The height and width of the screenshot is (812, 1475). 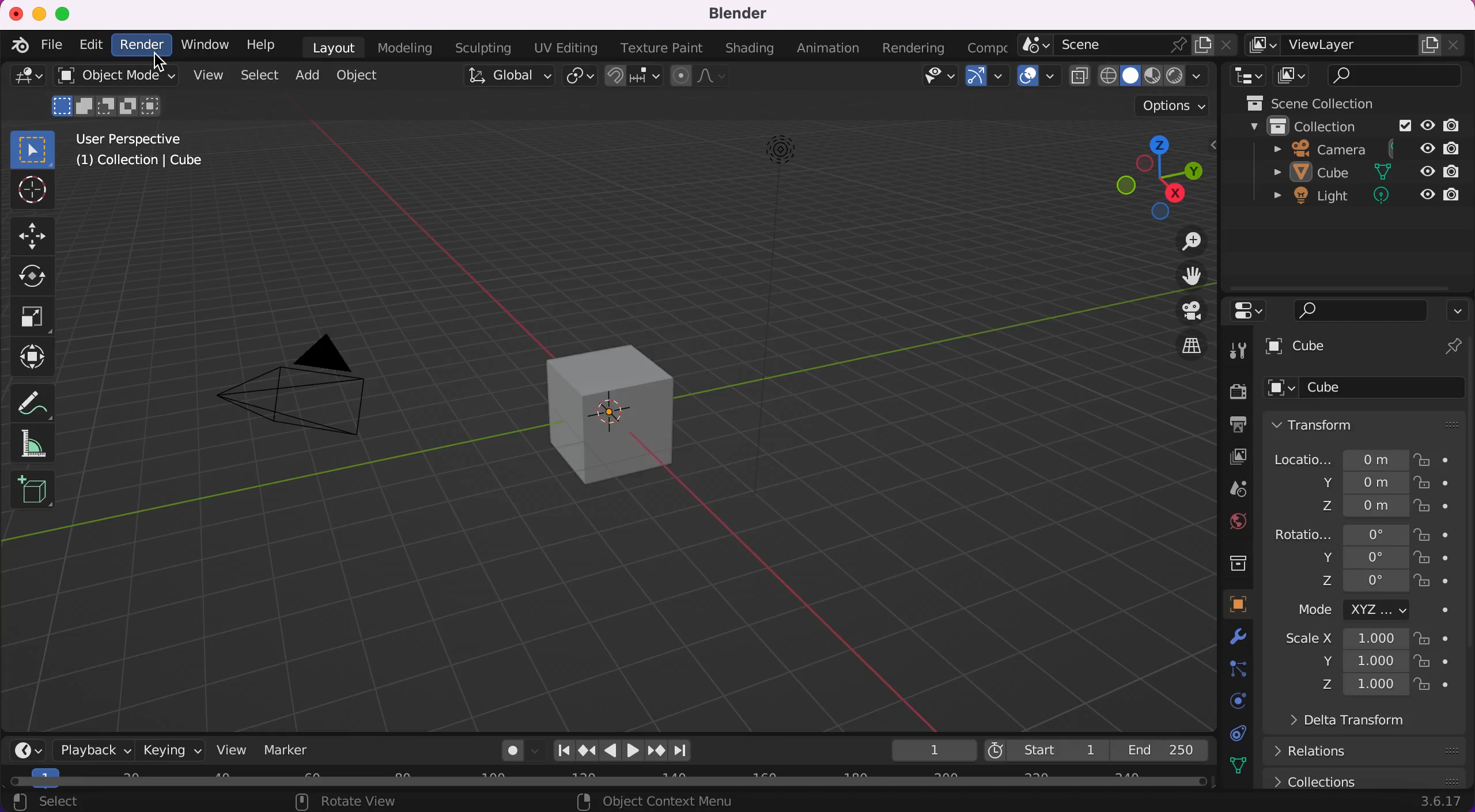 What do you see at coordinates (1170, 105) in the screenshot?
I see `options` at bounding box center [1170, 105].